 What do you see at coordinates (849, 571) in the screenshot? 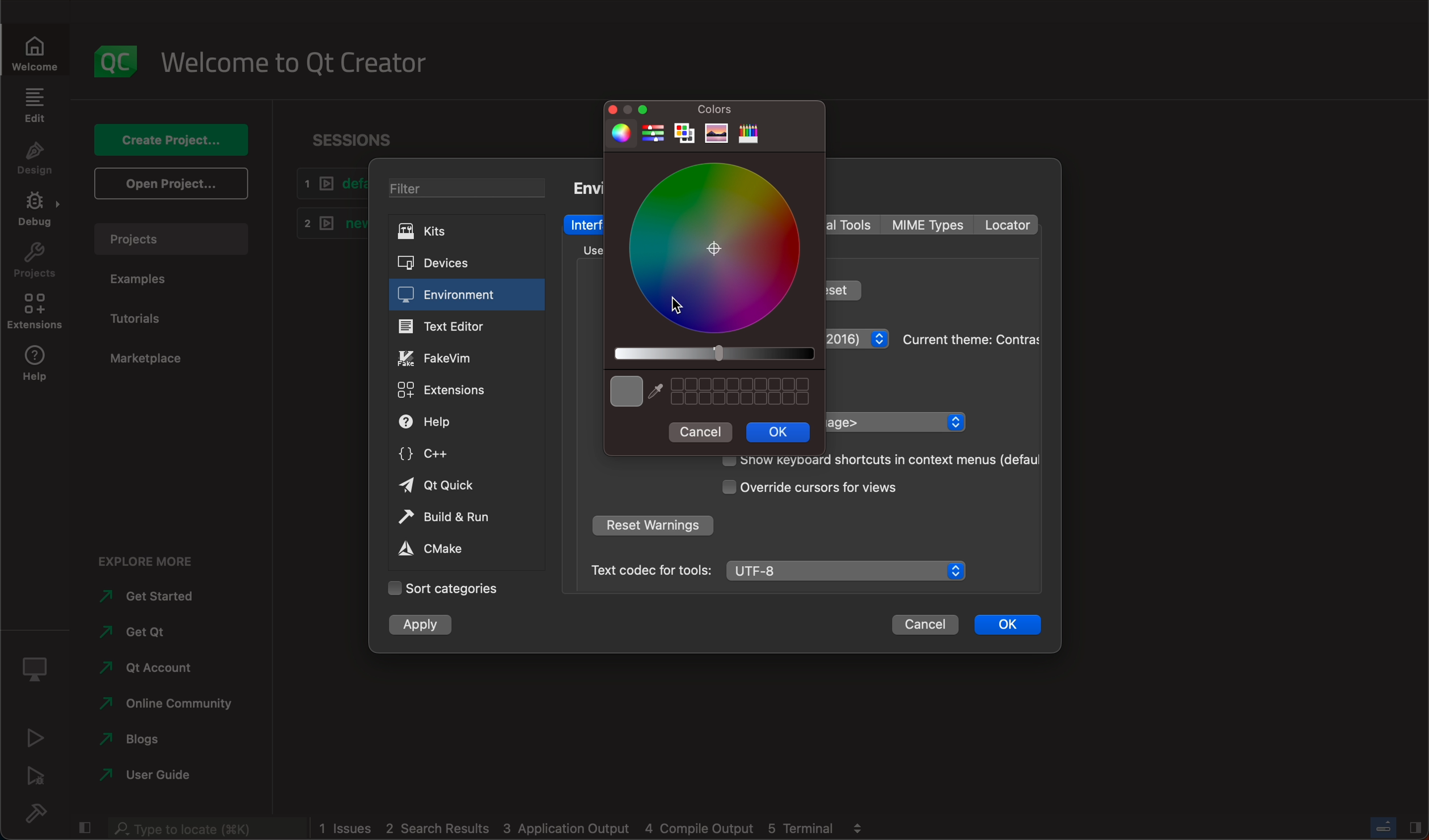
I see `UTF-8` at bounding box center [849, 571].